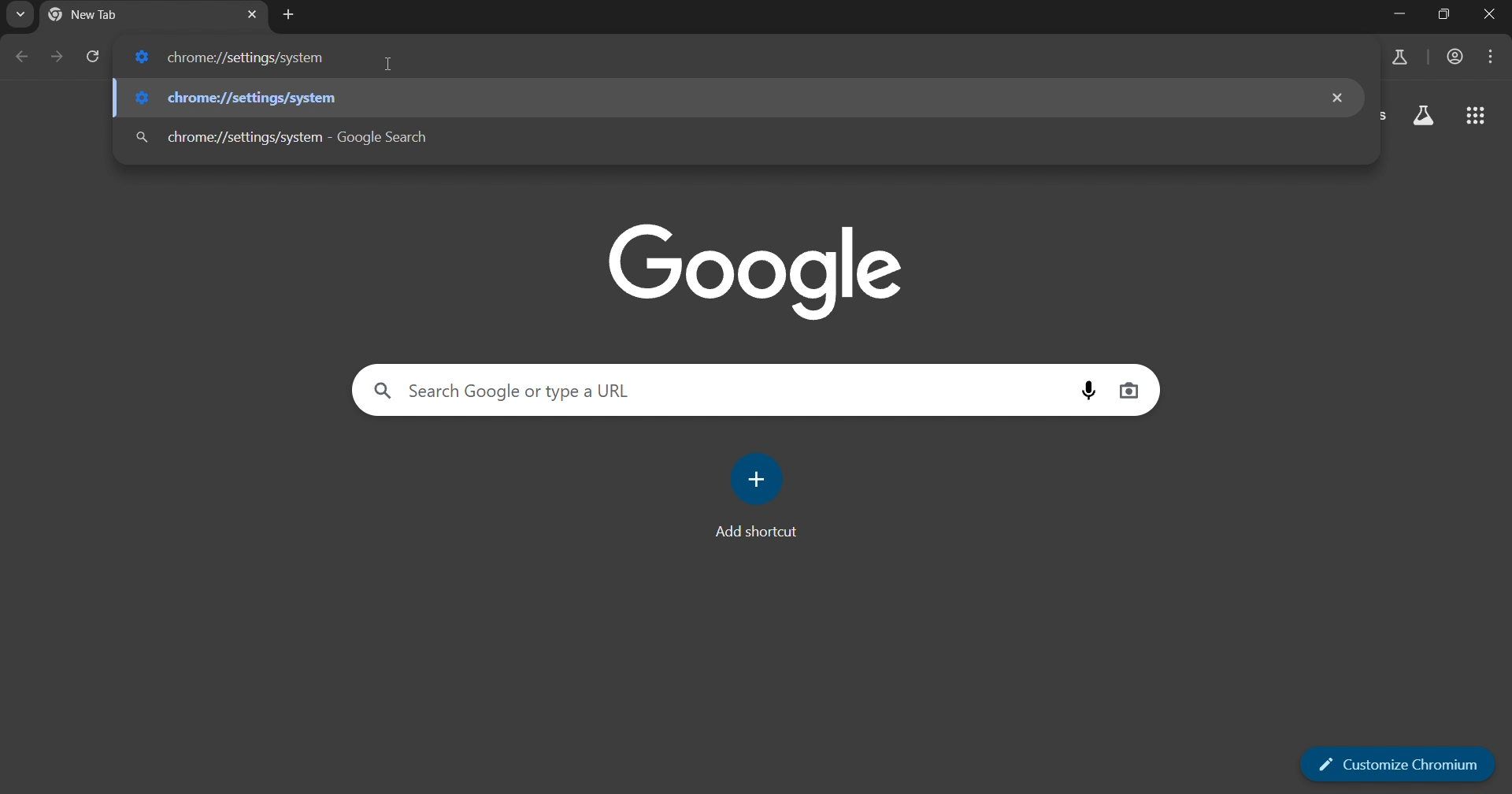 The image size is (1512, 794). I want to click on account, so click(1456, 58).